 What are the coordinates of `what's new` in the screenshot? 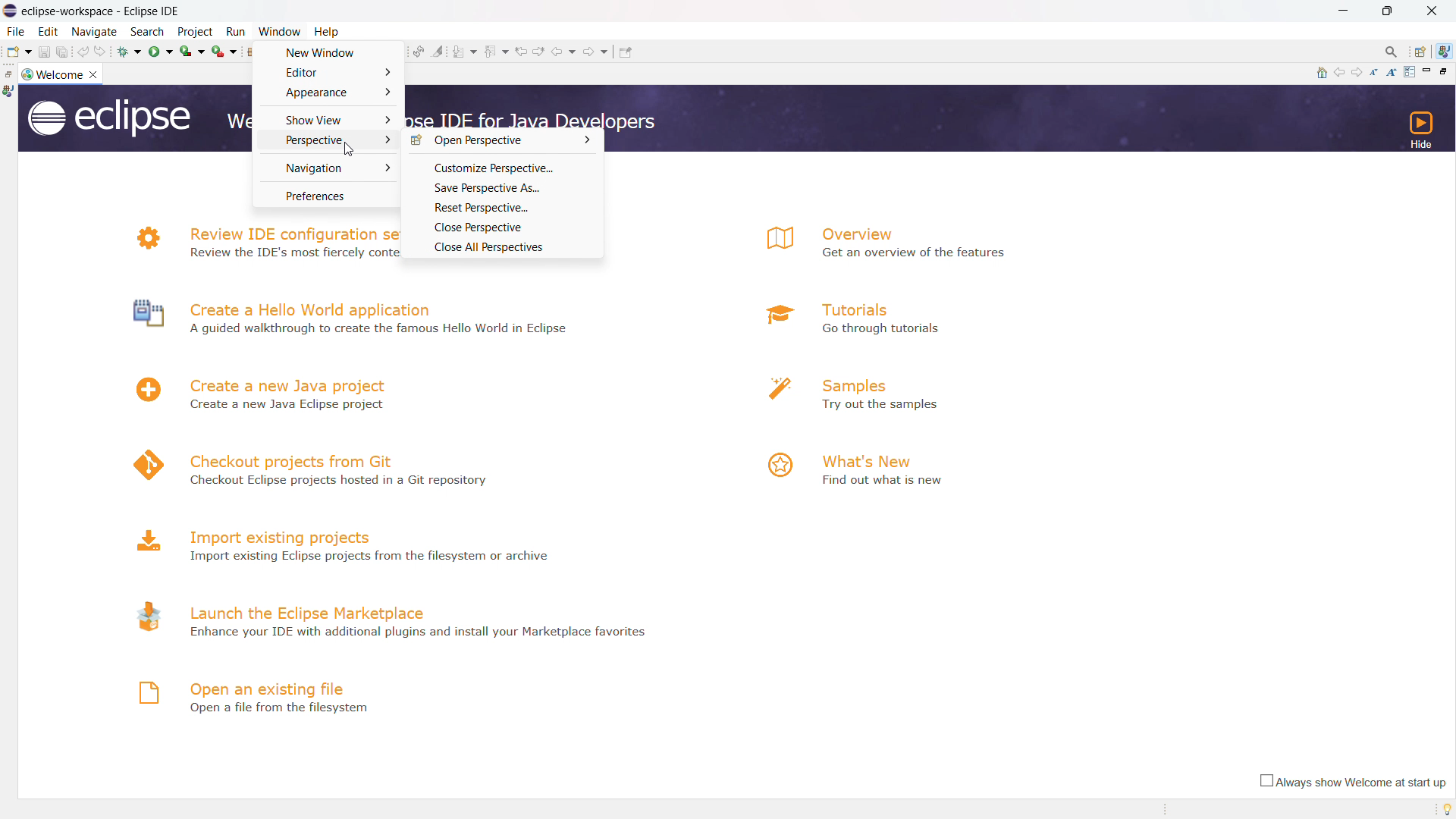 It's located at (874, 457).